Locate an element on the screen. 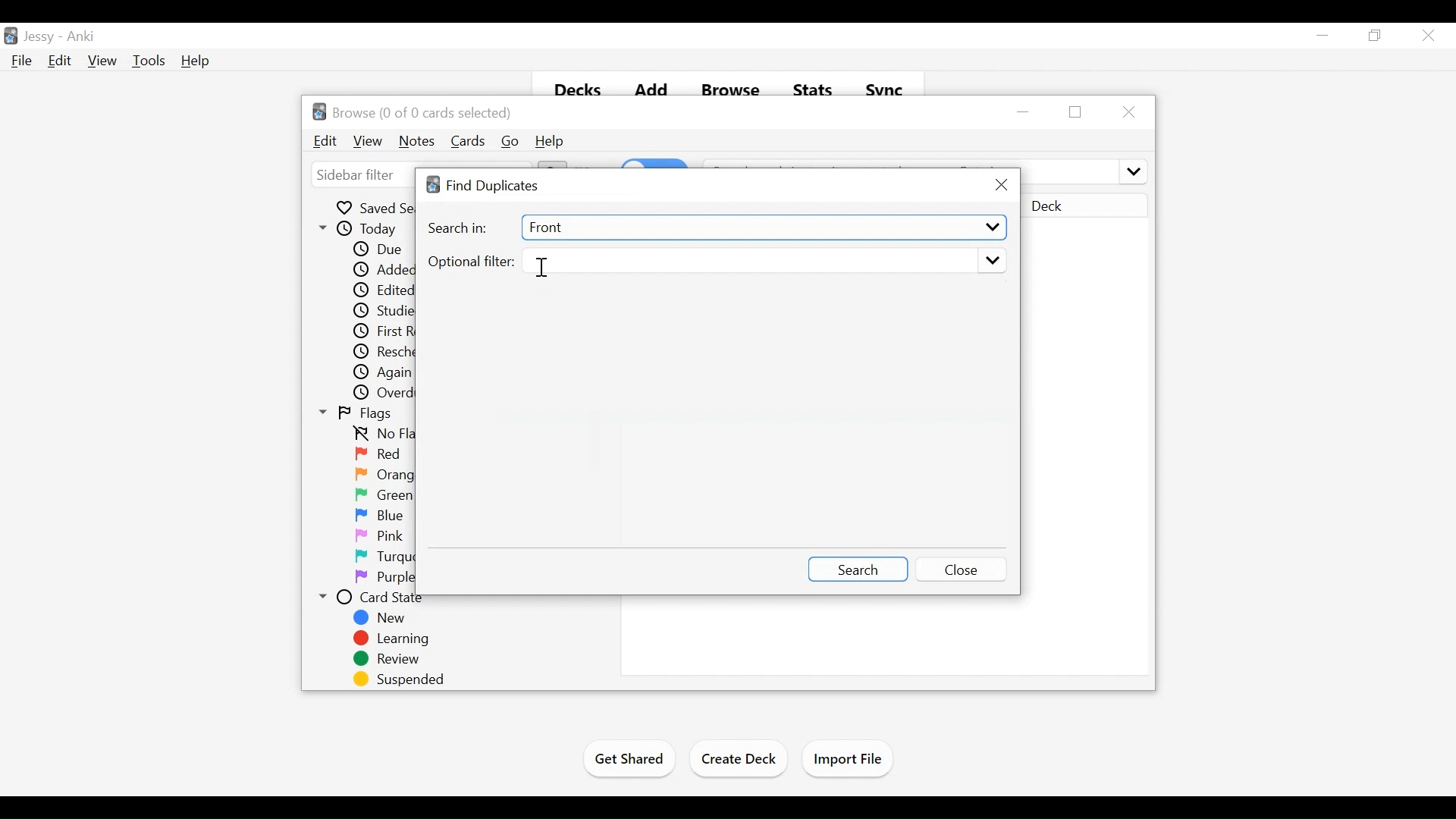 This screenshot has height=819, width=1456. Close is located at coordinates (1426, 35).